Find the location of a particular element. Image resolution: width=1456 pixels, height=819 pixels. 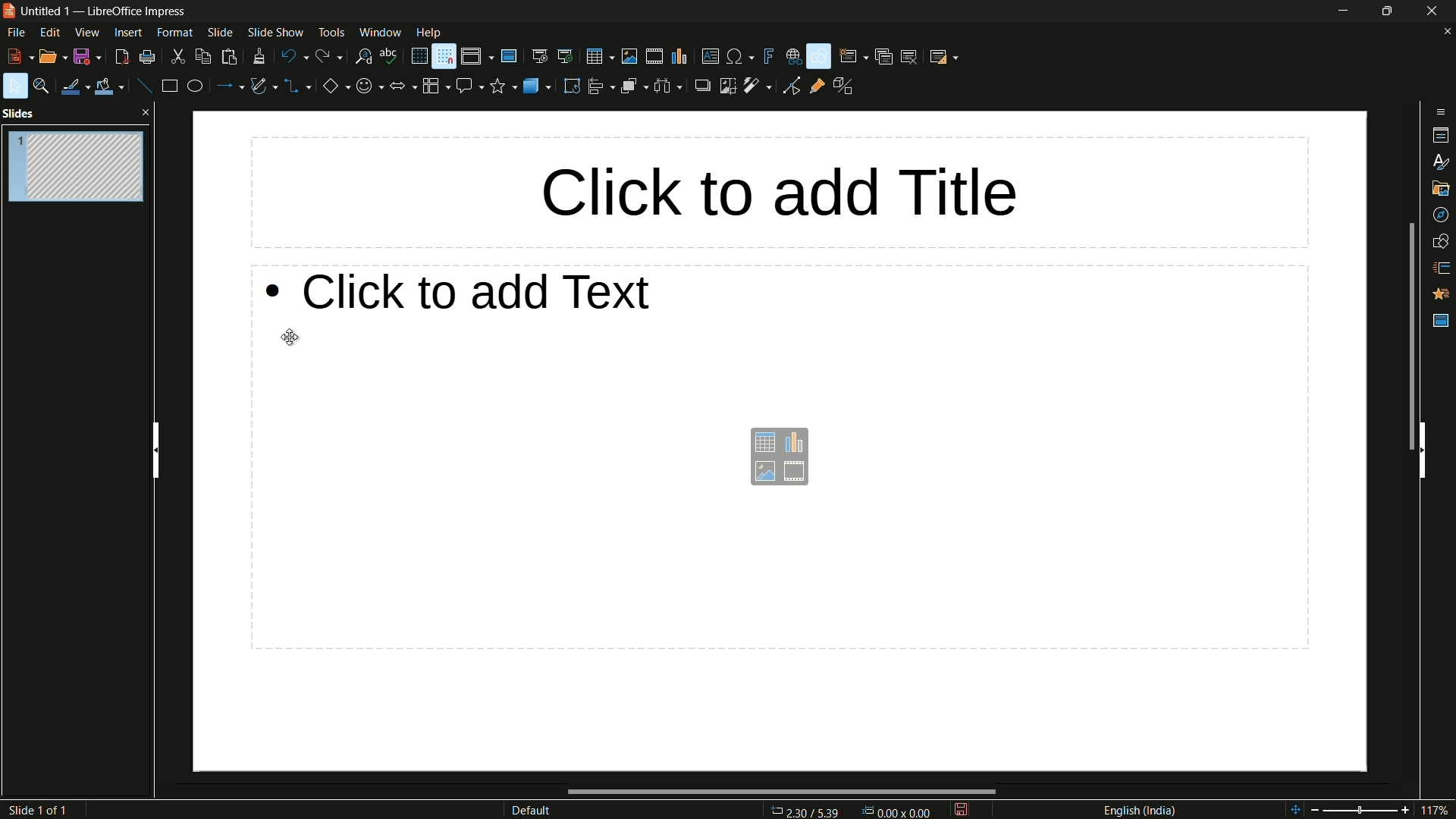

cursor is located at coordinates (290, 338).